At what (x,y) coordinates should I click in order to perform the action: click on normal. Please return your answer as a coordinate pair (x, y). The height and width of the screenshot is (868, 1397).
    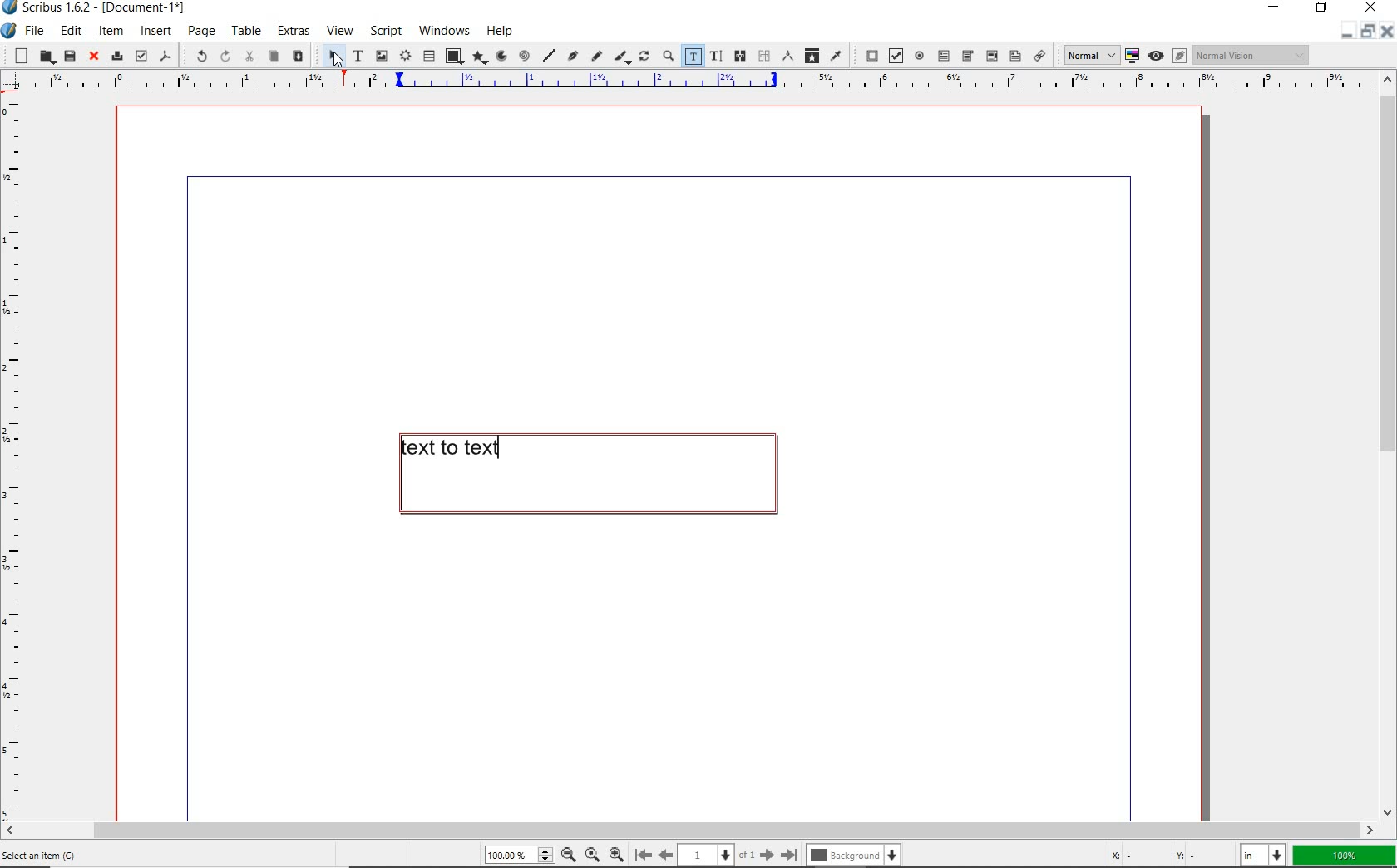
    Looking at the image, I should click on (1088, 55).